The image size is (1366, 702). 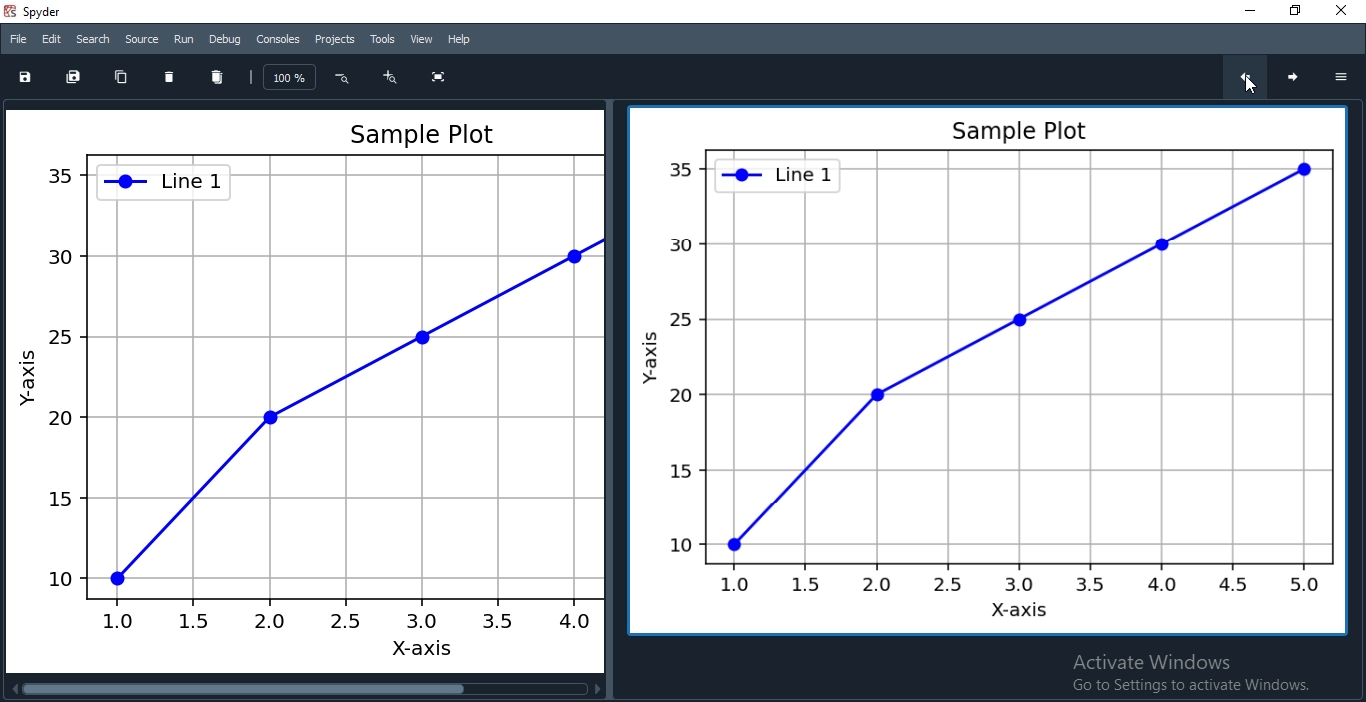 I want to click on Help, so click(x=458, y=40).